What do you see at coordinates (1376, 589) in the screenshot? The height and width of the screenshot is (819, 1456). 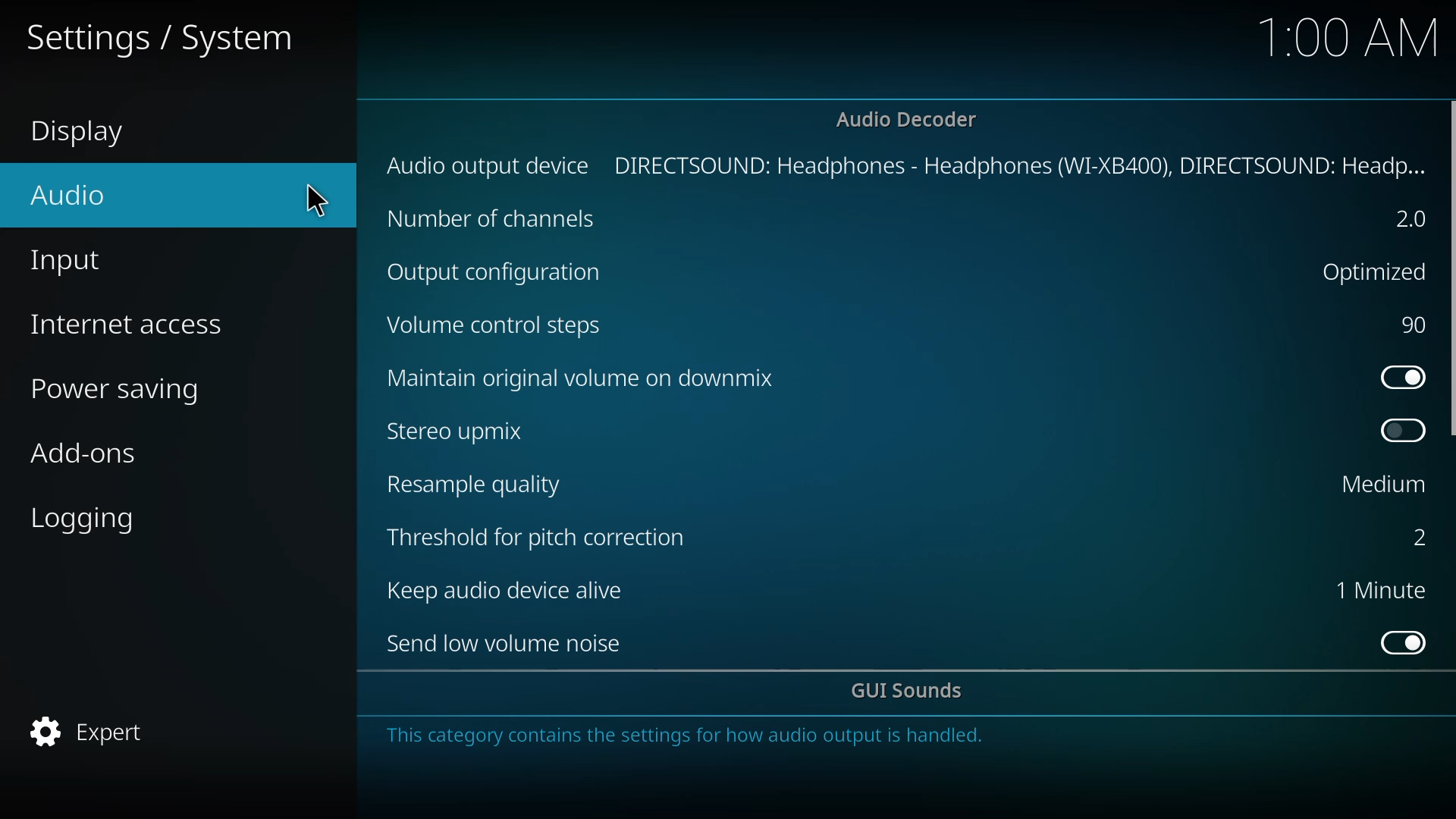 I see `1` at bounding box center [1376, 589].